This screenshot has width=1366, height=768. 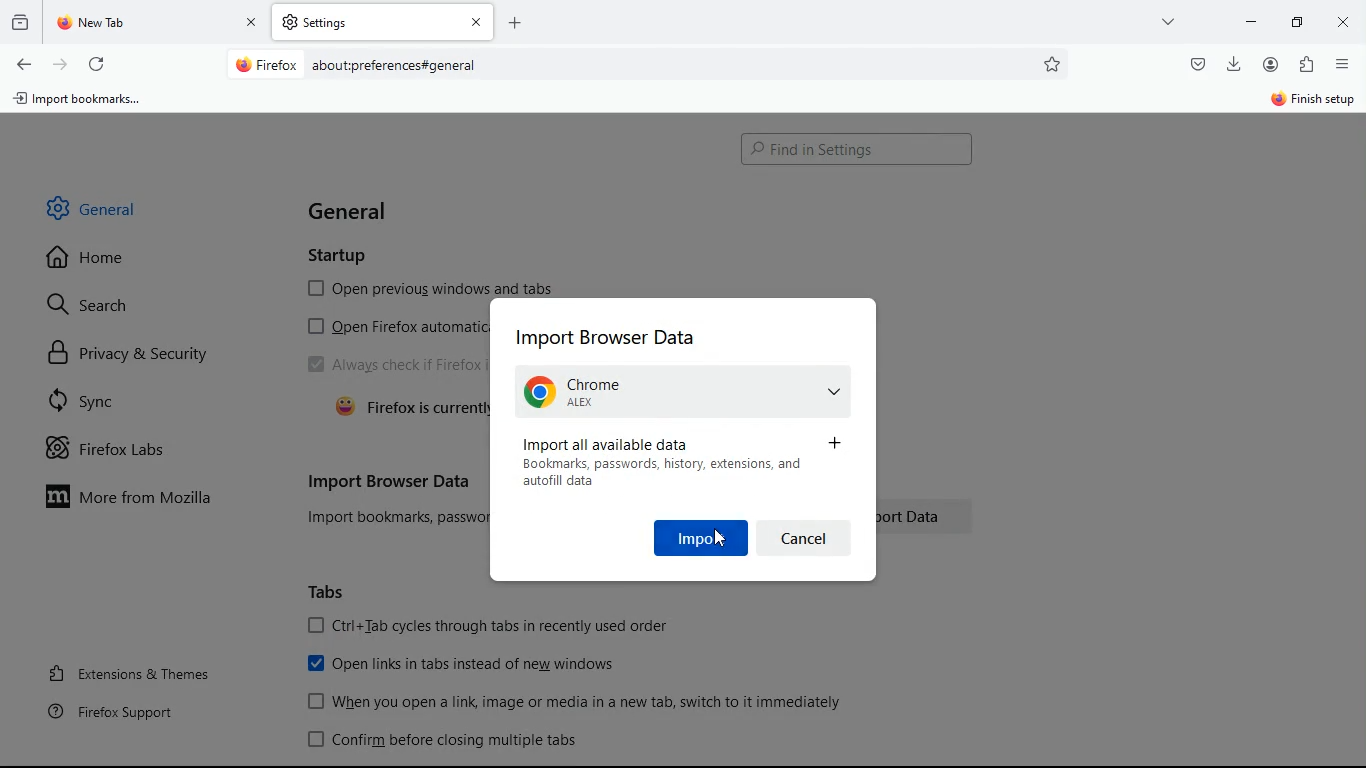 What do you see at coordinates (610, 442) in the screenshot?
I see `import all data` at bounding box center [610, 442].